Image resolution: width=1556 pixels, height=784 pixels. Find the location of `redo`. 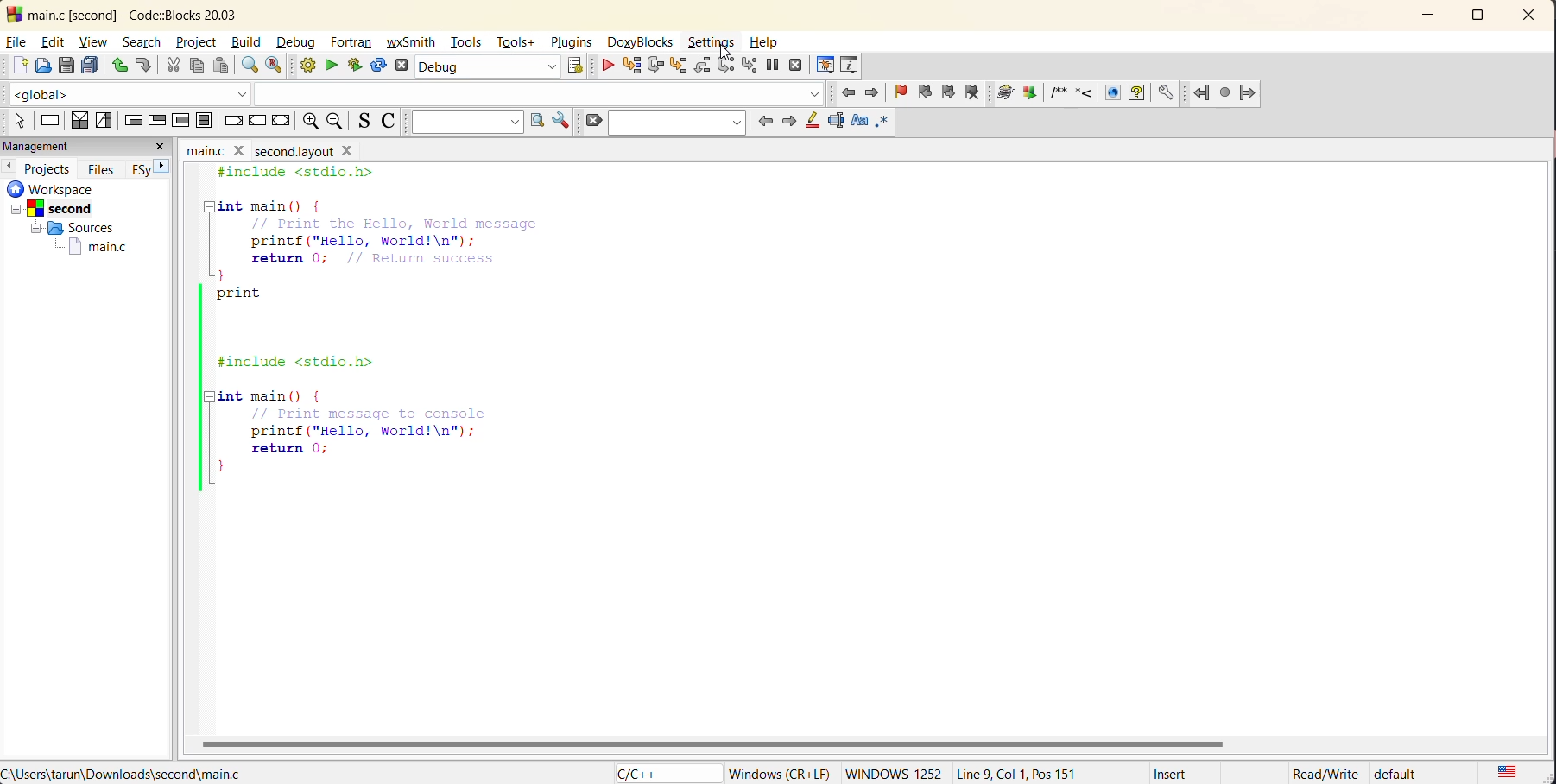

redo is located at coordinates (143, 64).